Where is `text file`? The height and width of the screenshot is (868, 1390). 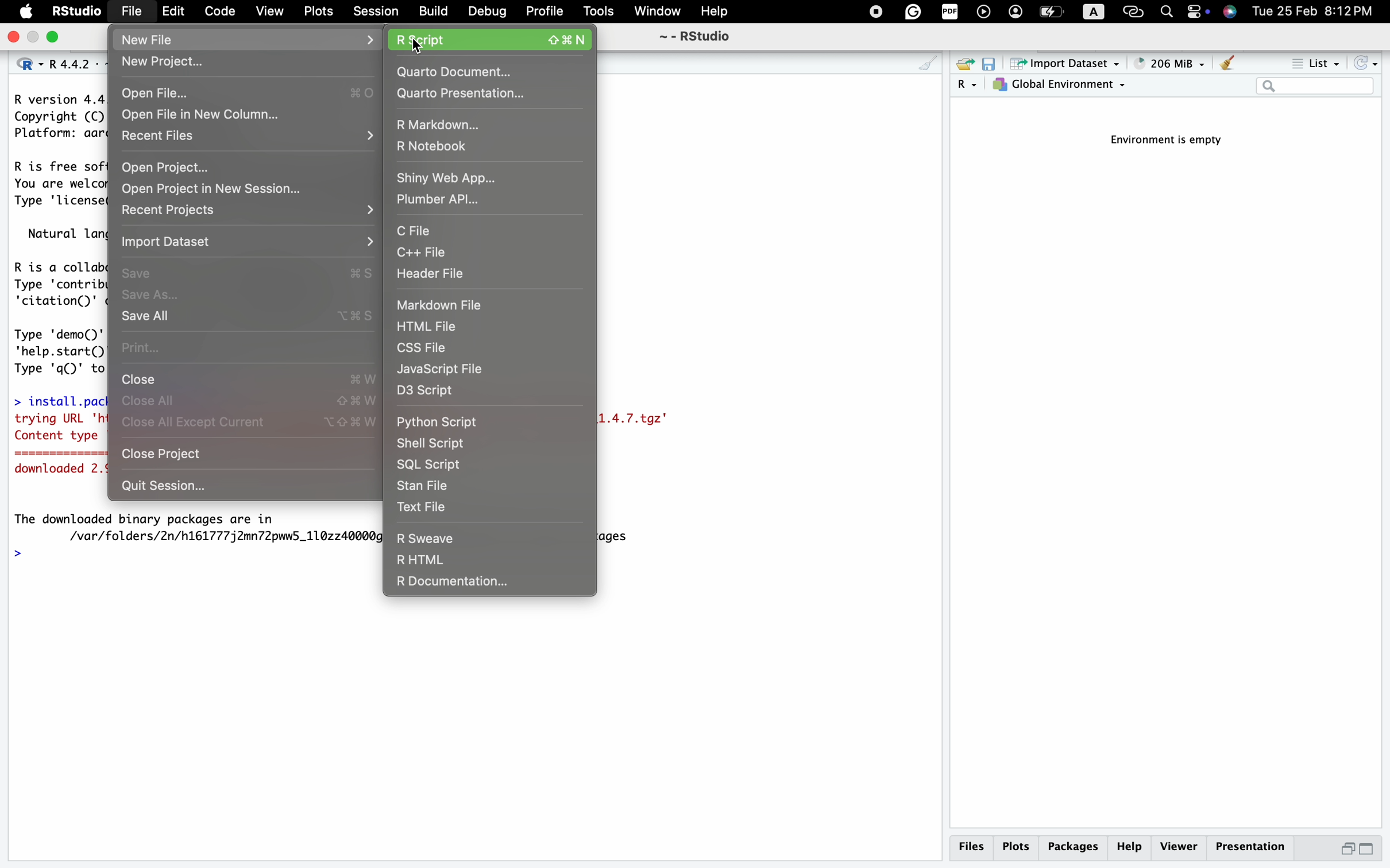 text file is located at coordinates (476, 507).